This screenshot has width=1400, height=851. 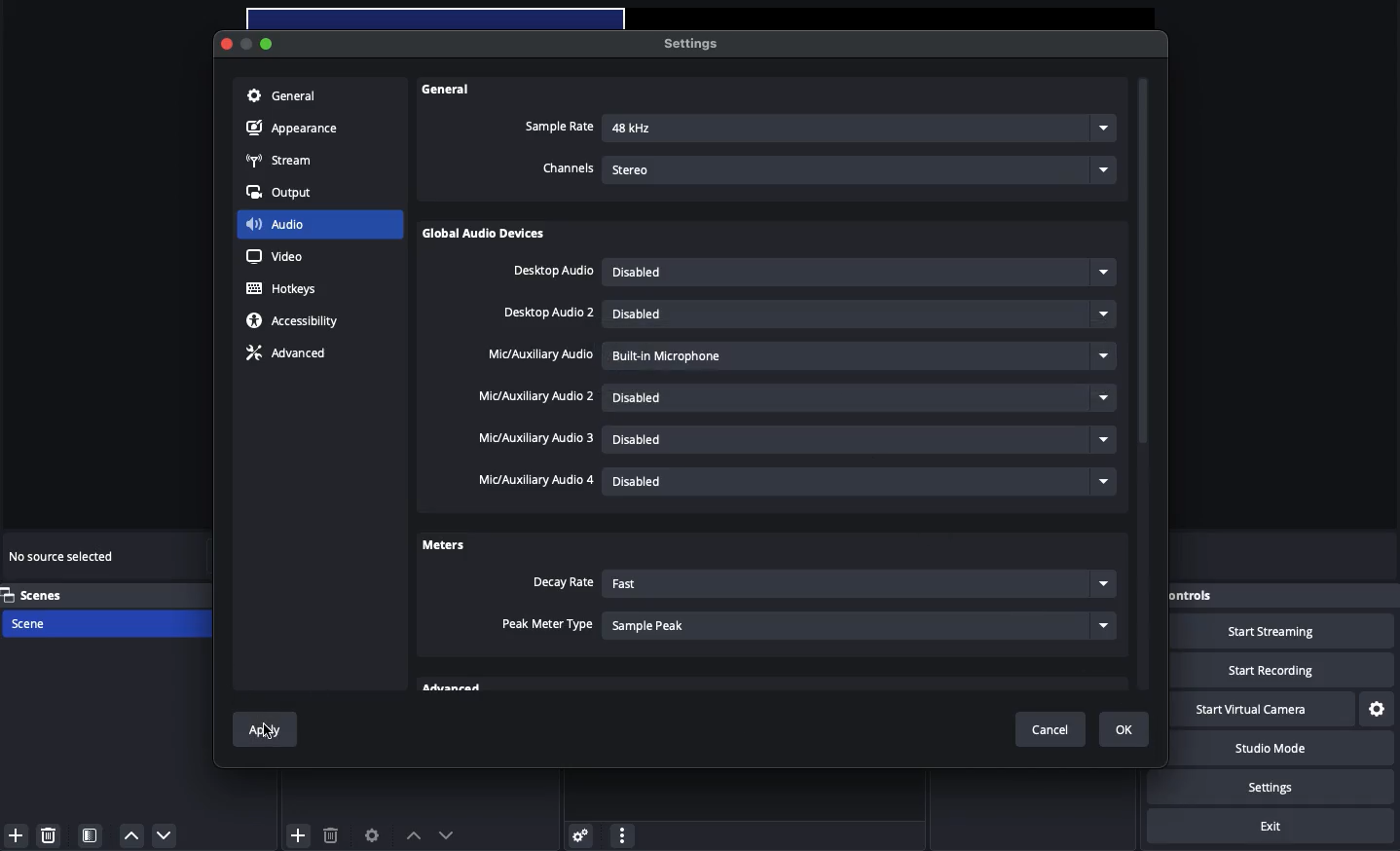 I want to click on Options, so click(x=622, y=832).